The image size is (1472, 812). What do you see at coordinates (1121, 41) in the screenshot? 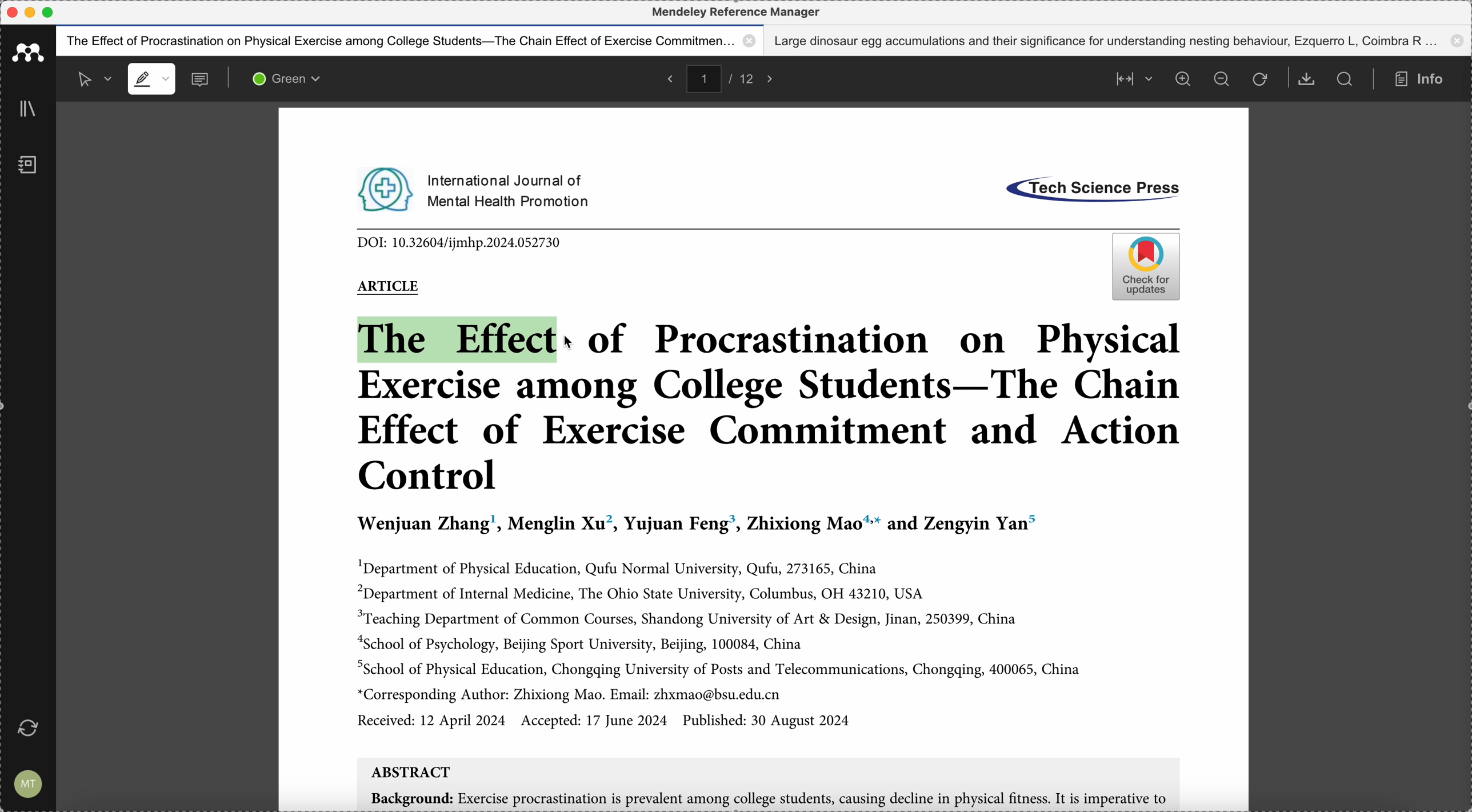
I see `Large dinosaur egg accumulations and their significance for understanding nesting behaviour, Ezquerro` at bounding box center [1121, 41].